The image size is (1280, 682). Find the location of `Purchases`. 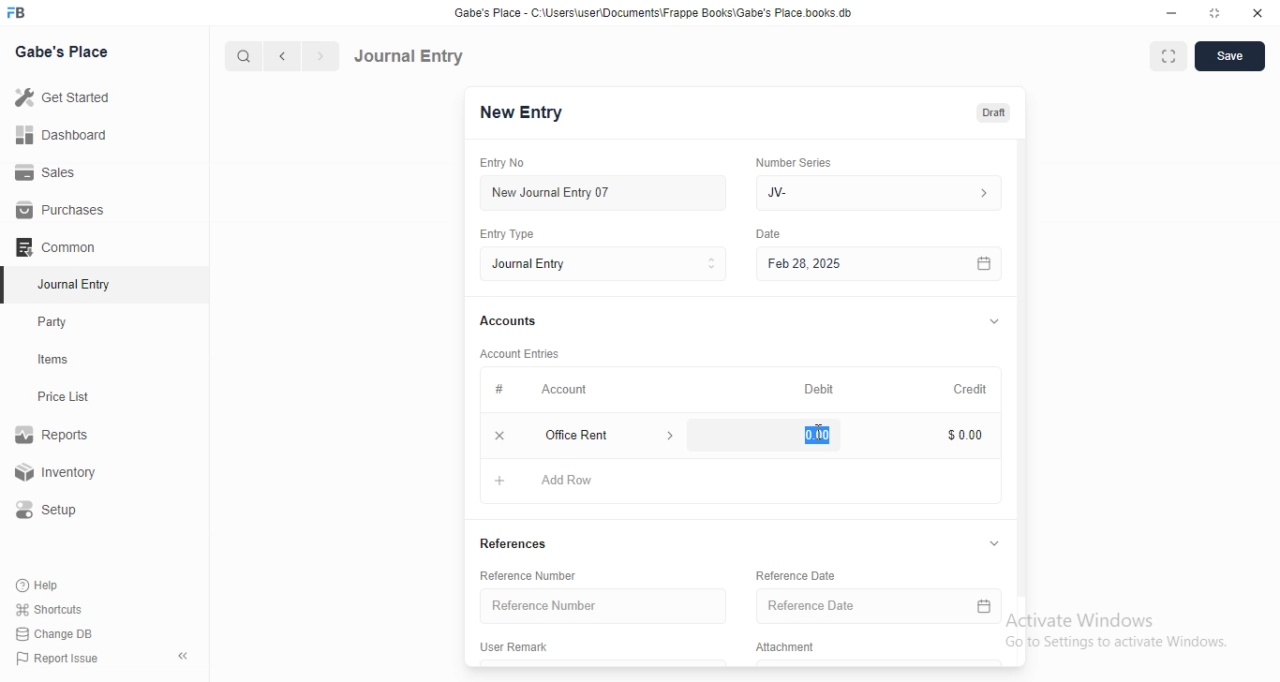

Purchases is located at coordinates (61, 210).